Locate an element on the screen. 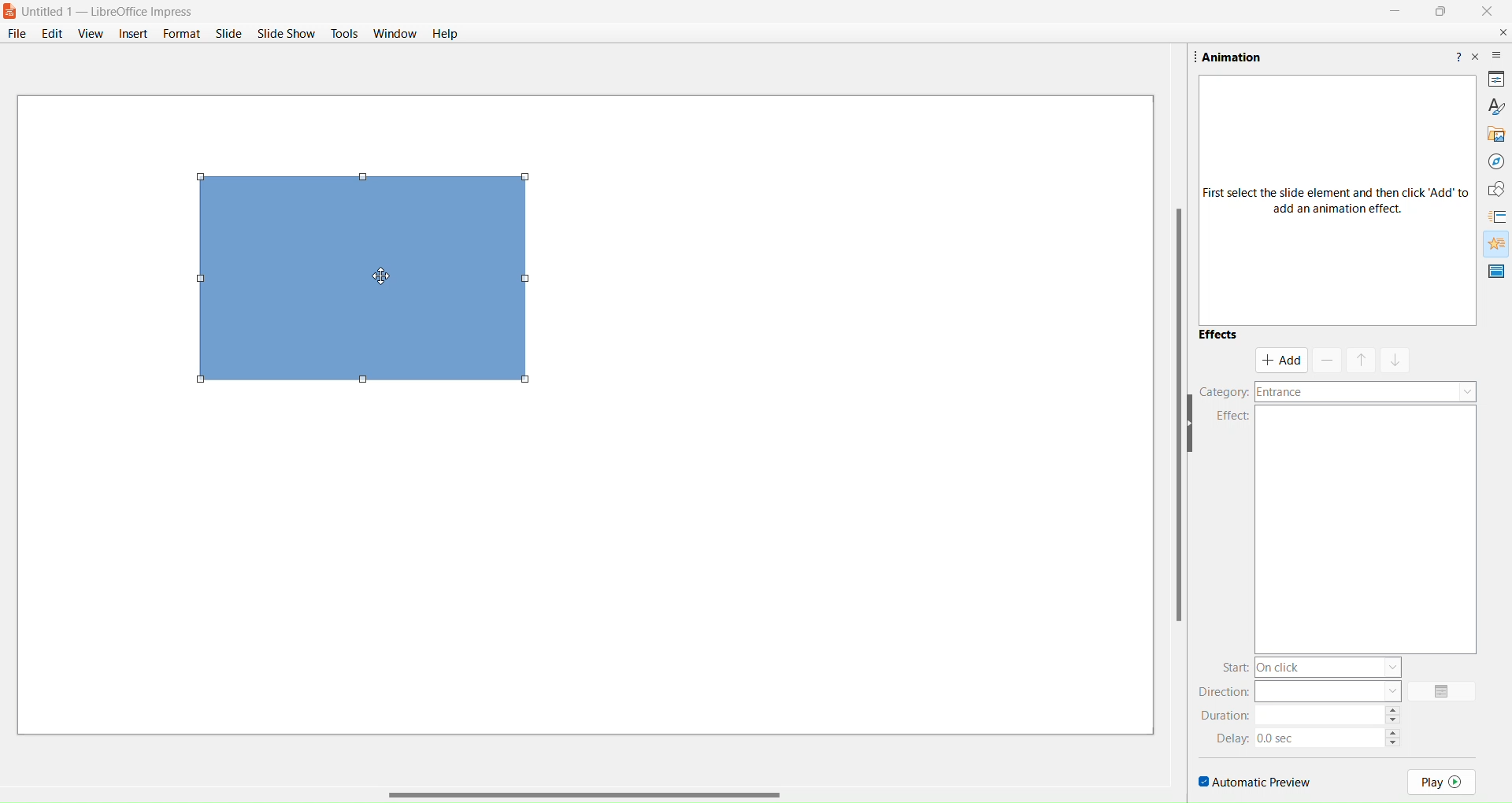 The width and height of the screenshot is (1512, 803). window is located at coordinates (396, 35).